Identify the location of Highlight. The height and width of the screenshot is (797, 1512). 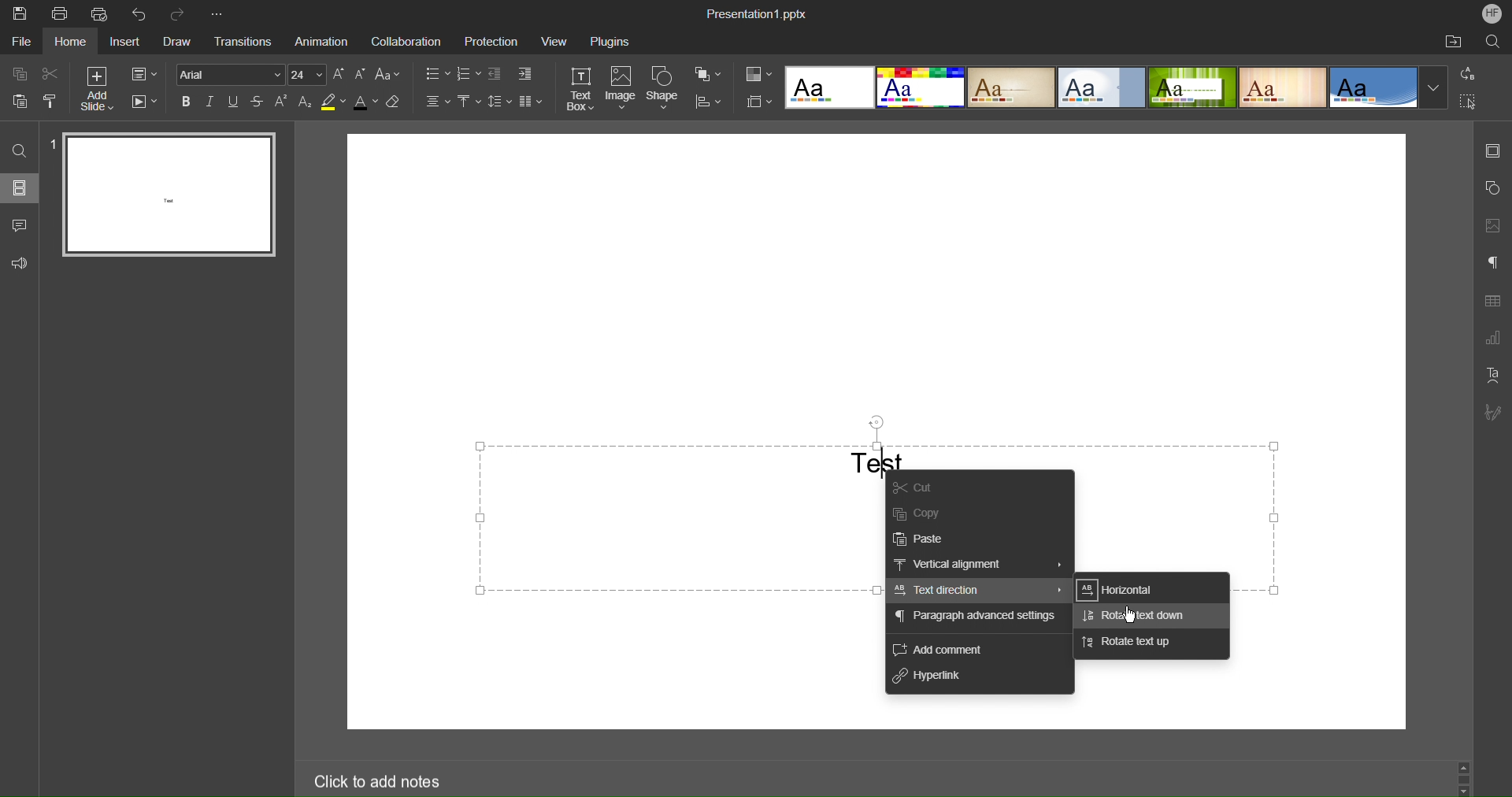
(332, 103).